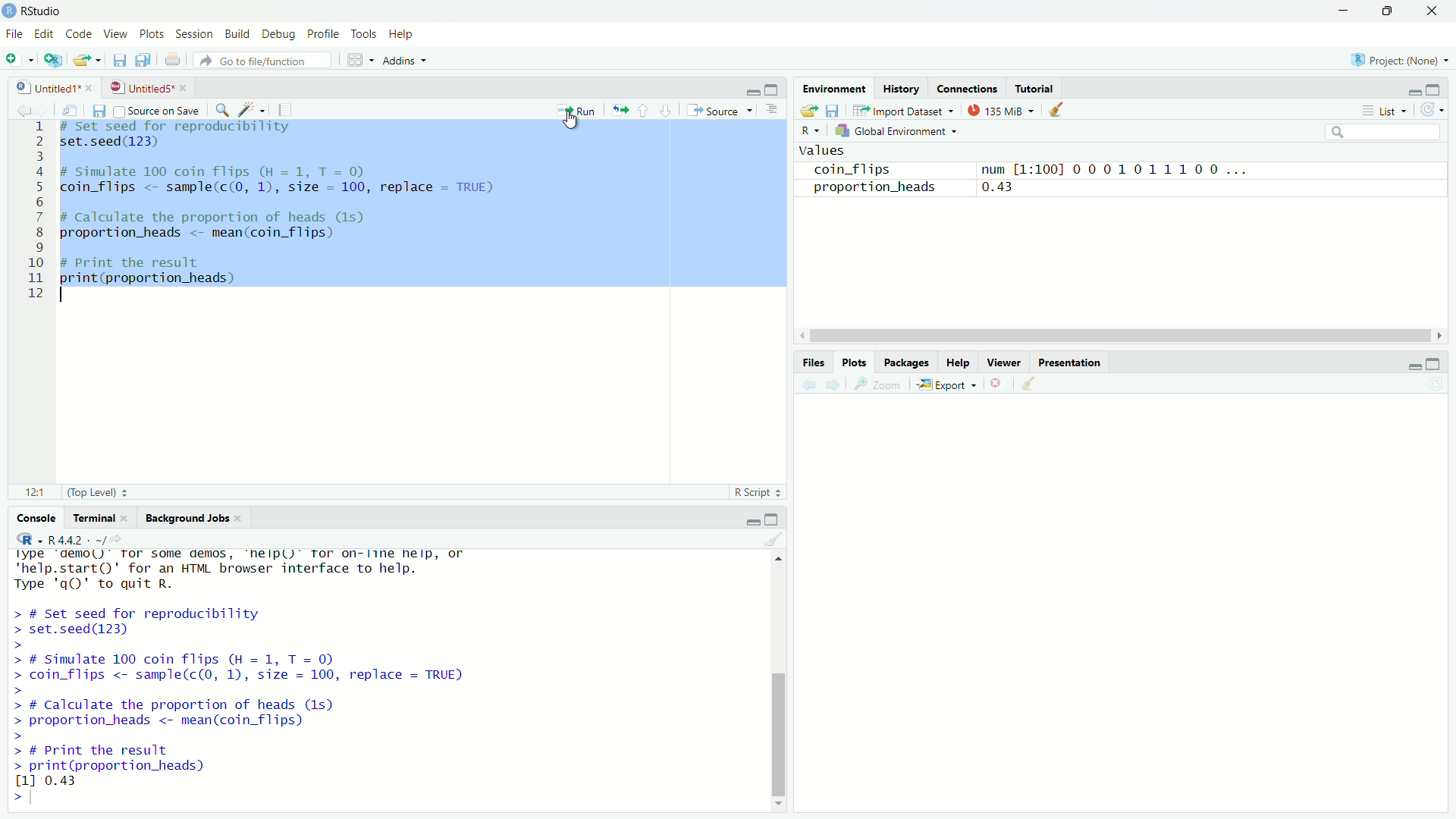 This screenshot has height=819, width=1456. Describe the element at coordinates (129, 540) in the screenshot. I see `view the current working directory` at that location.